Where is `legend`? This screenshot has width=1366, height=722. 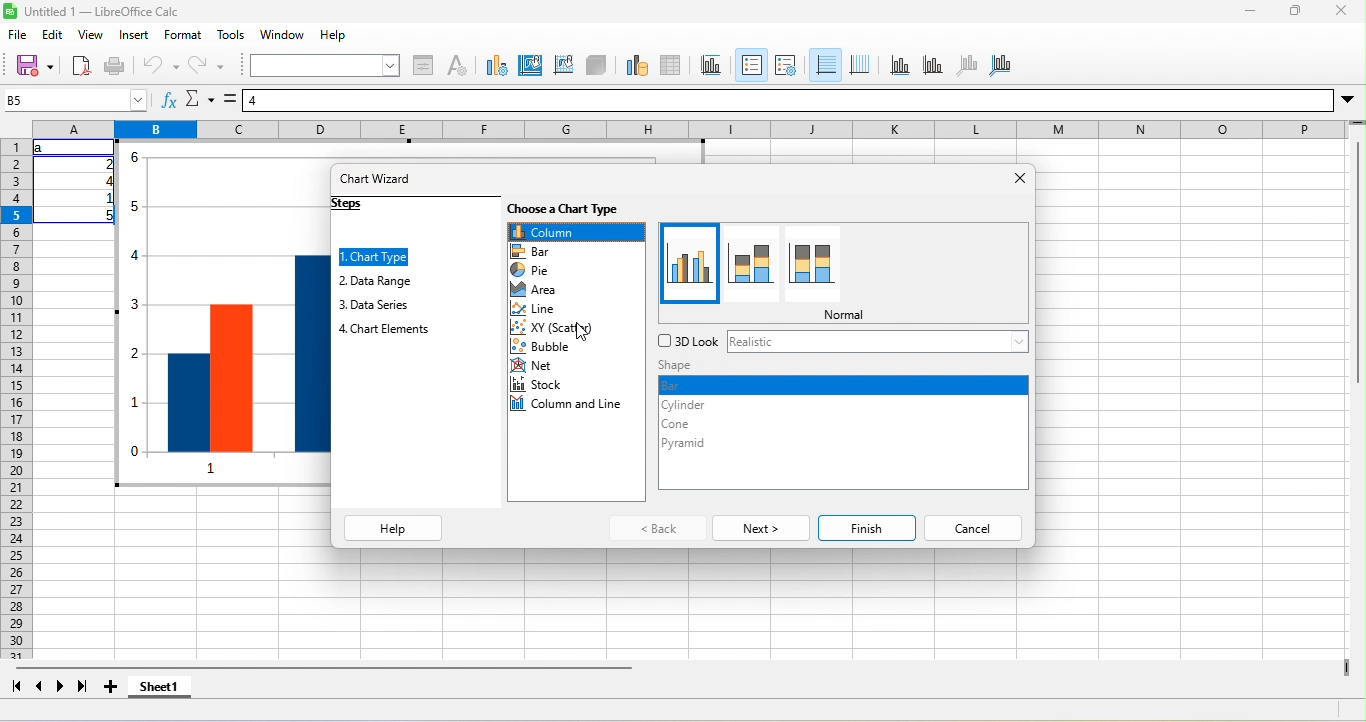 legend is located at coordinates (786, 67).